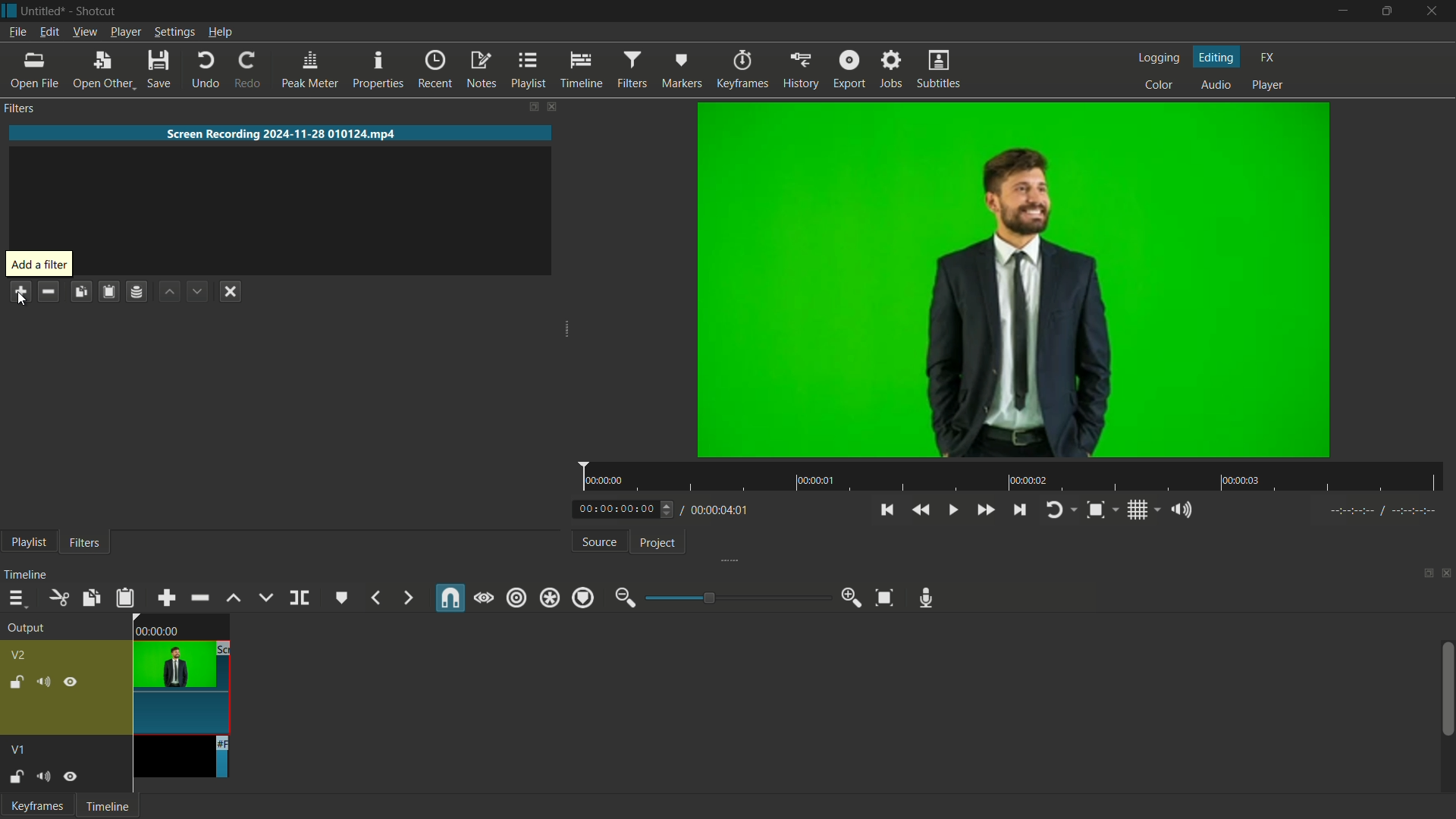  Describe the element at coordinates (1384, 511) in the screenshot. I see `Tuning` at that location.